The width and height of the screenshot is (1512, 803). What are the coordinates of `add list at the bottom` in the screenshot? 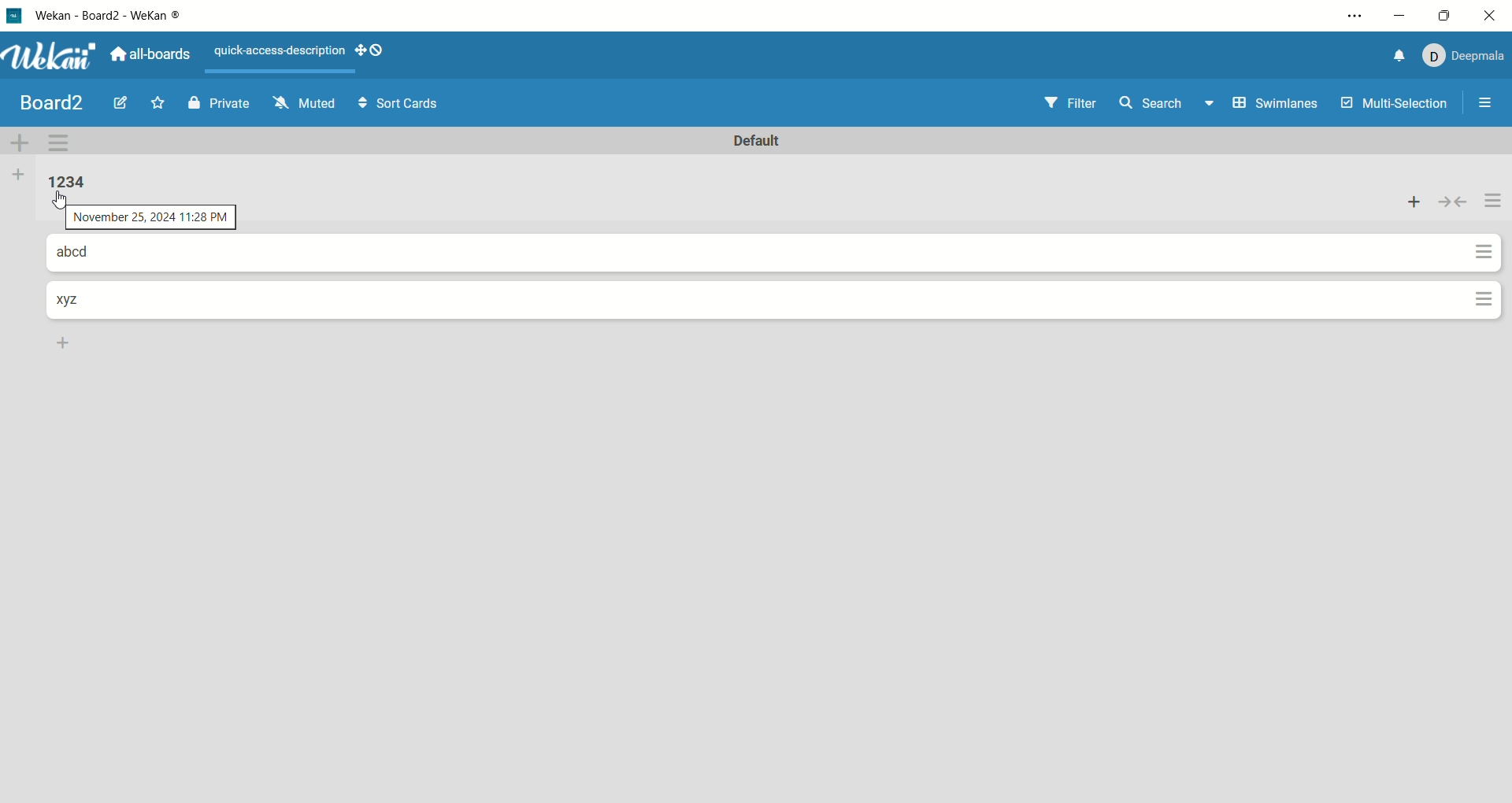 It's located at (67, 342).